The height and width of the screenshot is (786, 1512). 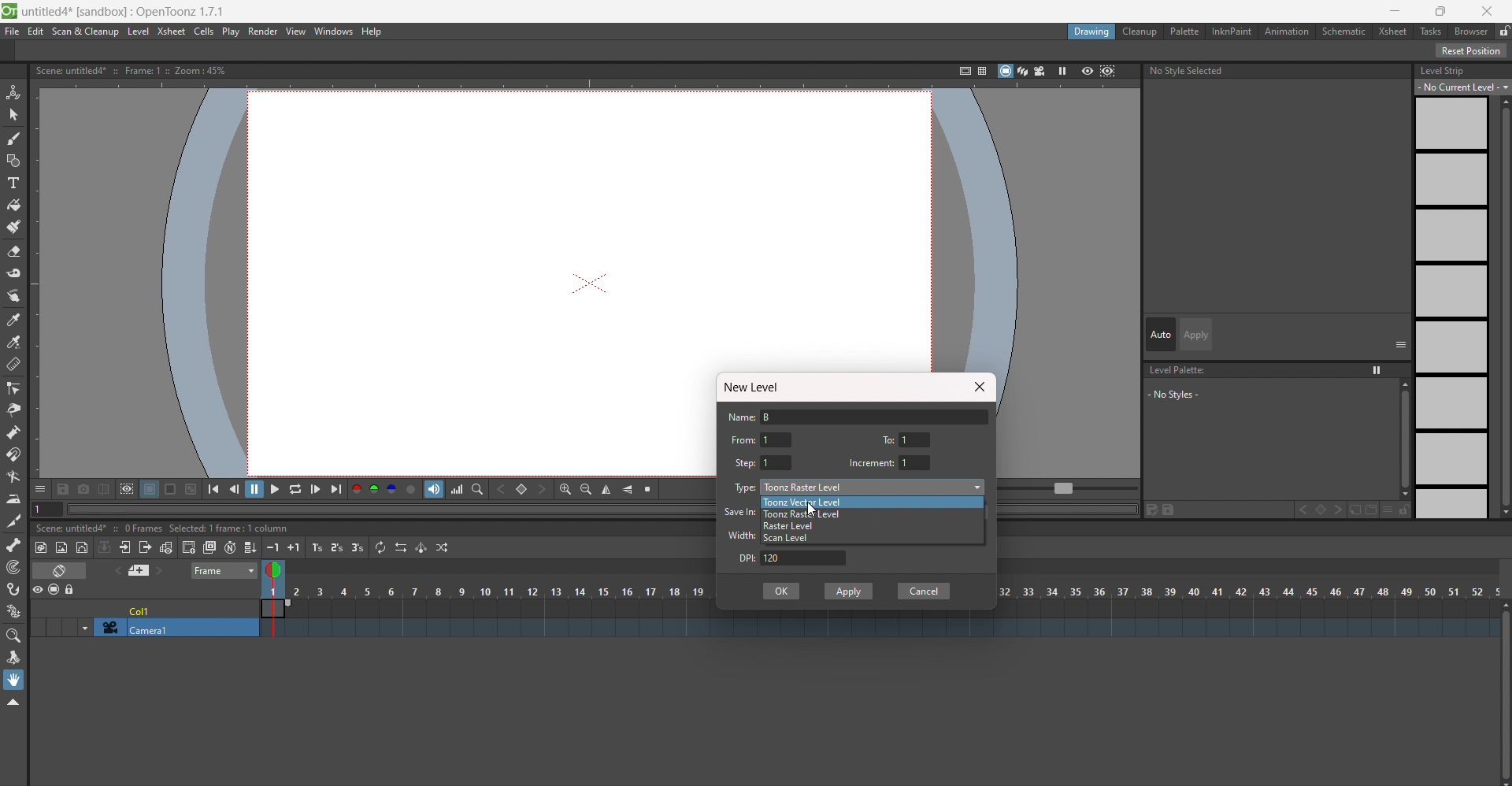 I want to click on apply, so click(x=1198, y=335).